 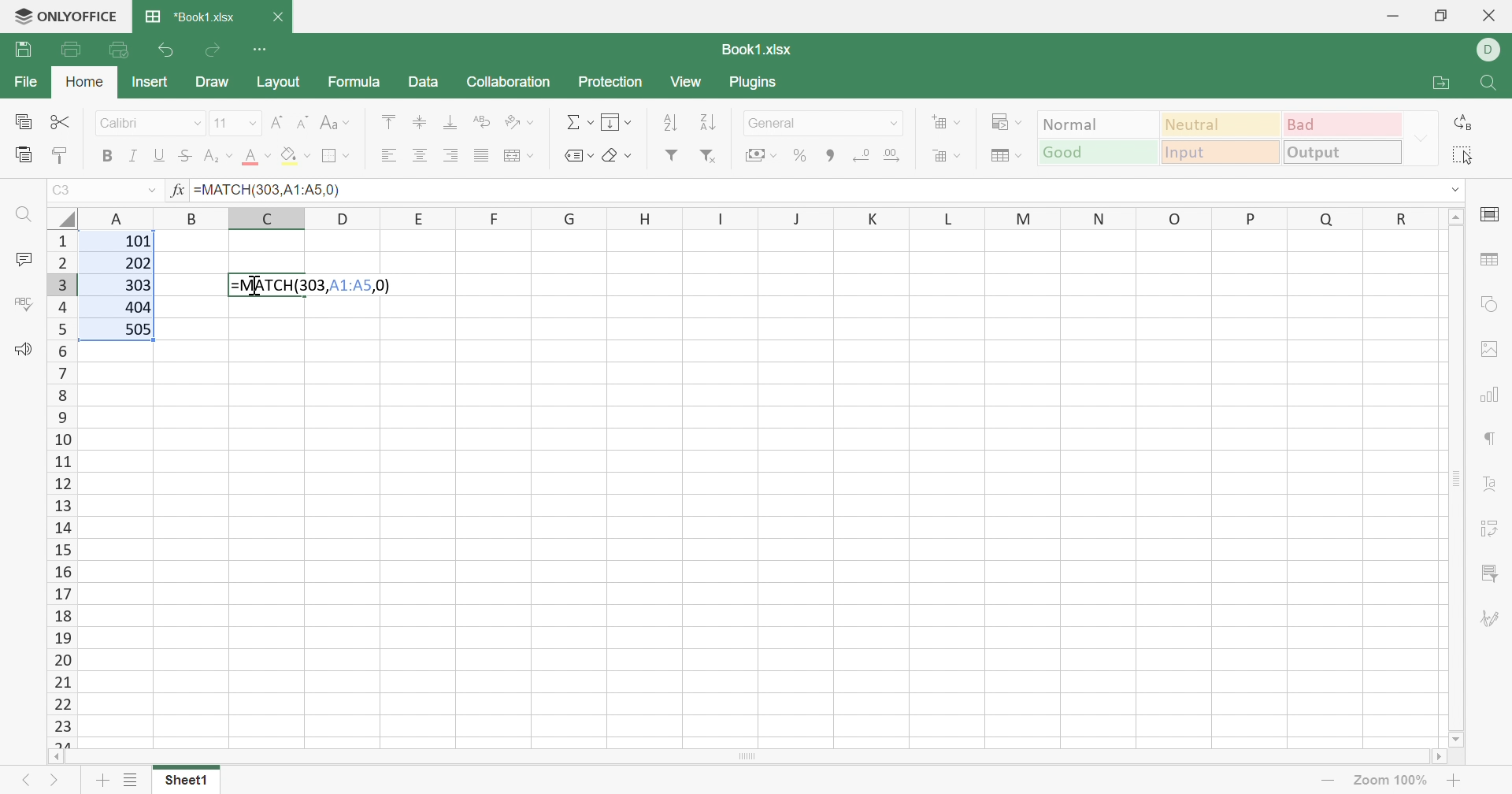 What do you see at coordinates (480, 123) in the screenshot?
I see `Wrap Text` at bounding box center [480, 123].